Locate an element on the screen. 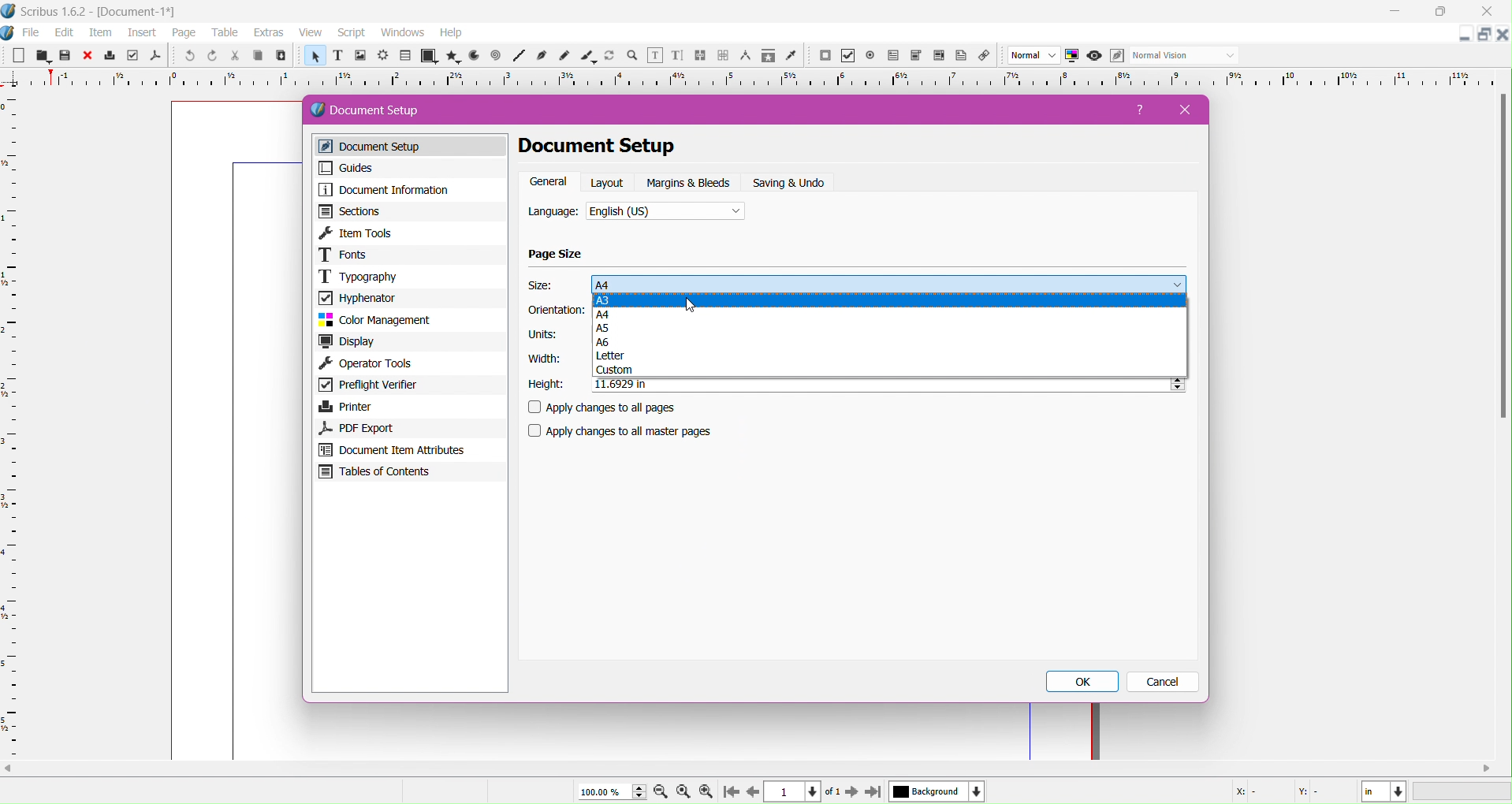 Image resolution: width=1512 pixels, height=804 pixels. script menu is located at coordinates (353, 33).